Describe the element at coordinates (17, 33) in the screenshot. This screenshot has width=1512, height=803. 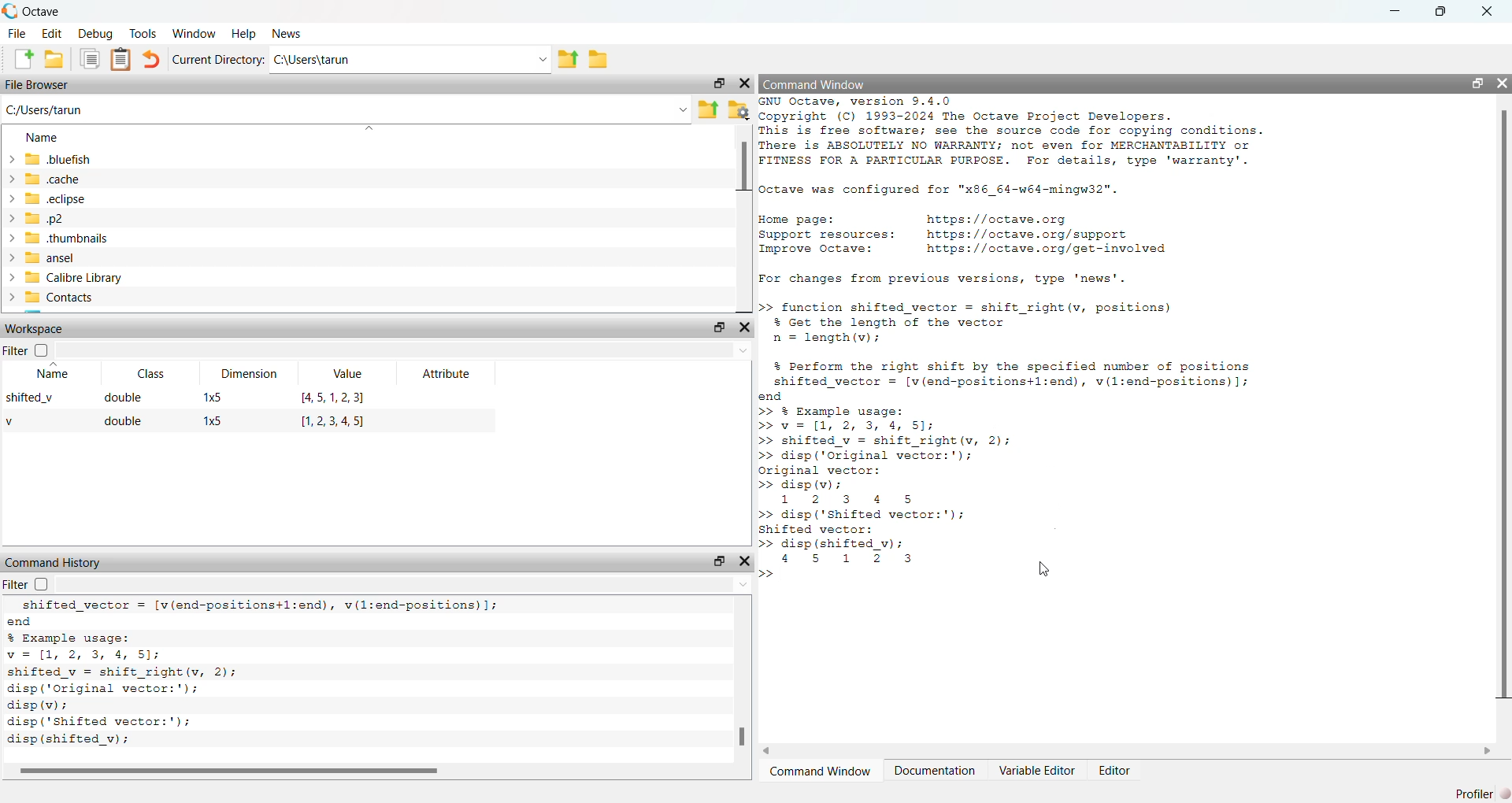
I see `file` at that location.